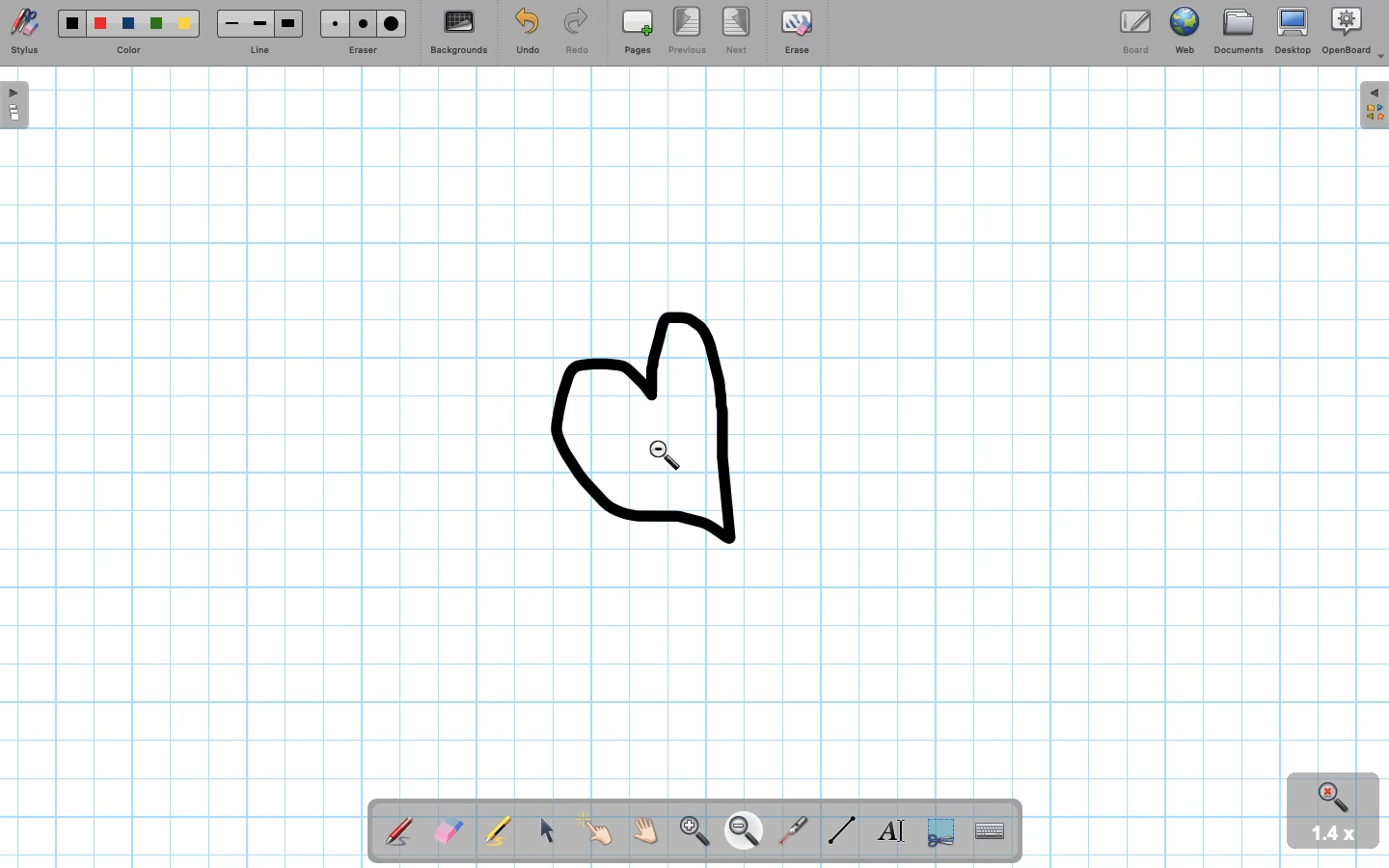  I want to click on Laser pointer, so click(794, 827).